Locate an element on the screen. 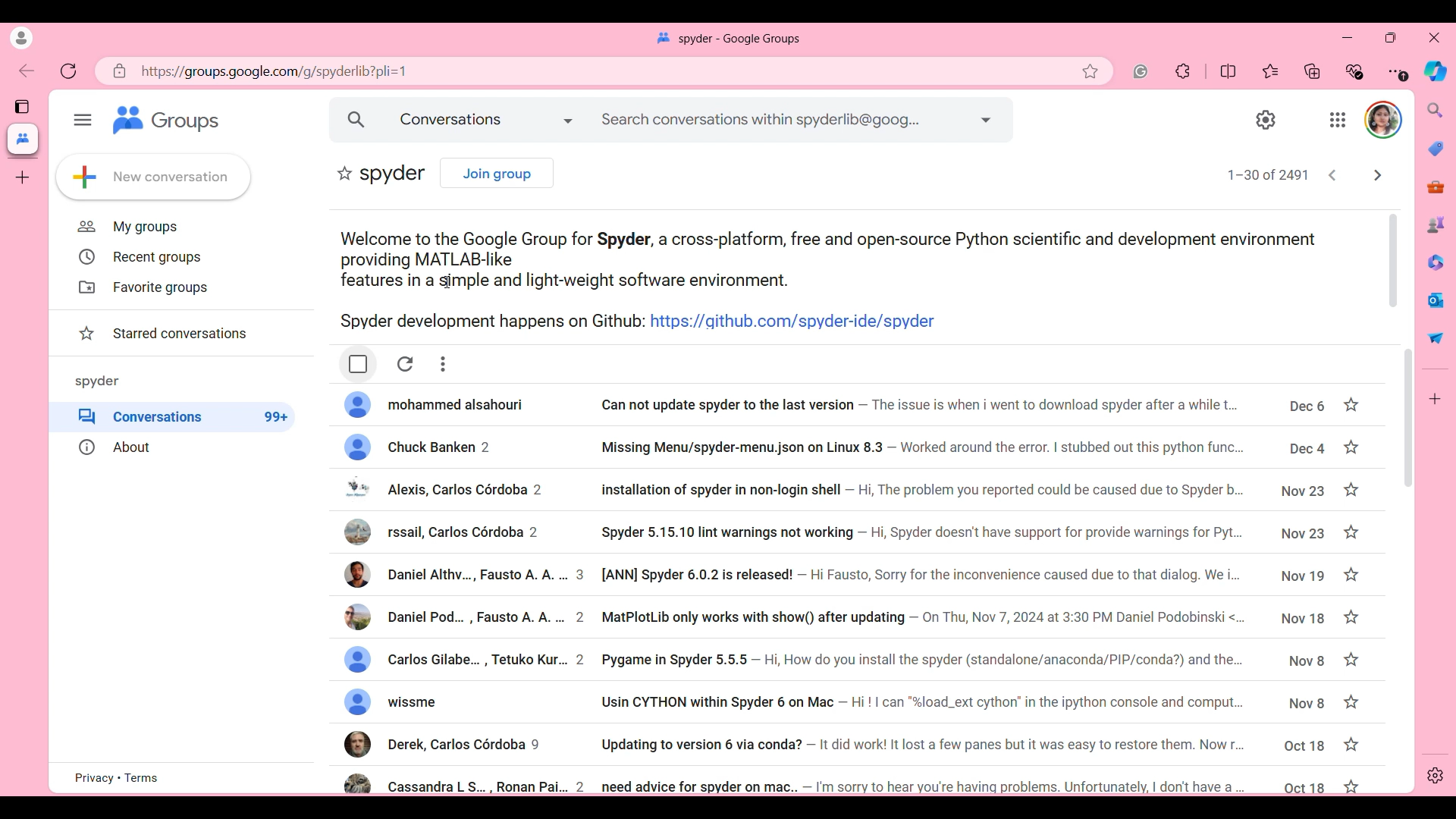 Image resolution: width=1456 pixels, height=819 pixels. Visit site information is located at coordinates (119, 71).